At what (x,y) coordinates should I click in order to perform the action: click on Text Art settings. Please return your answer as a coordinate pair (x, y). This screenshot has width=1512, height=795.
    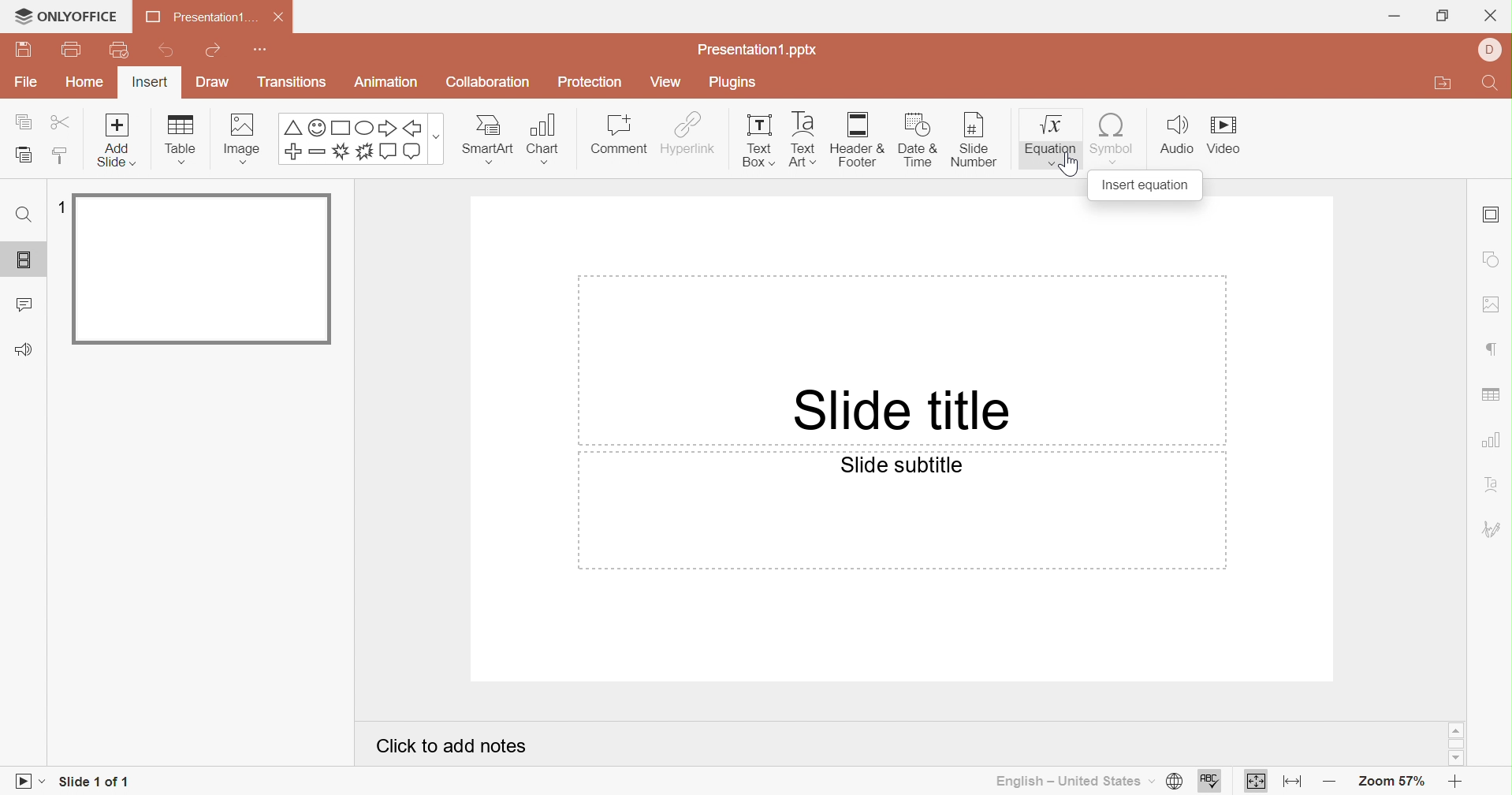
    Looking at the image, I should click on (1492, 484).